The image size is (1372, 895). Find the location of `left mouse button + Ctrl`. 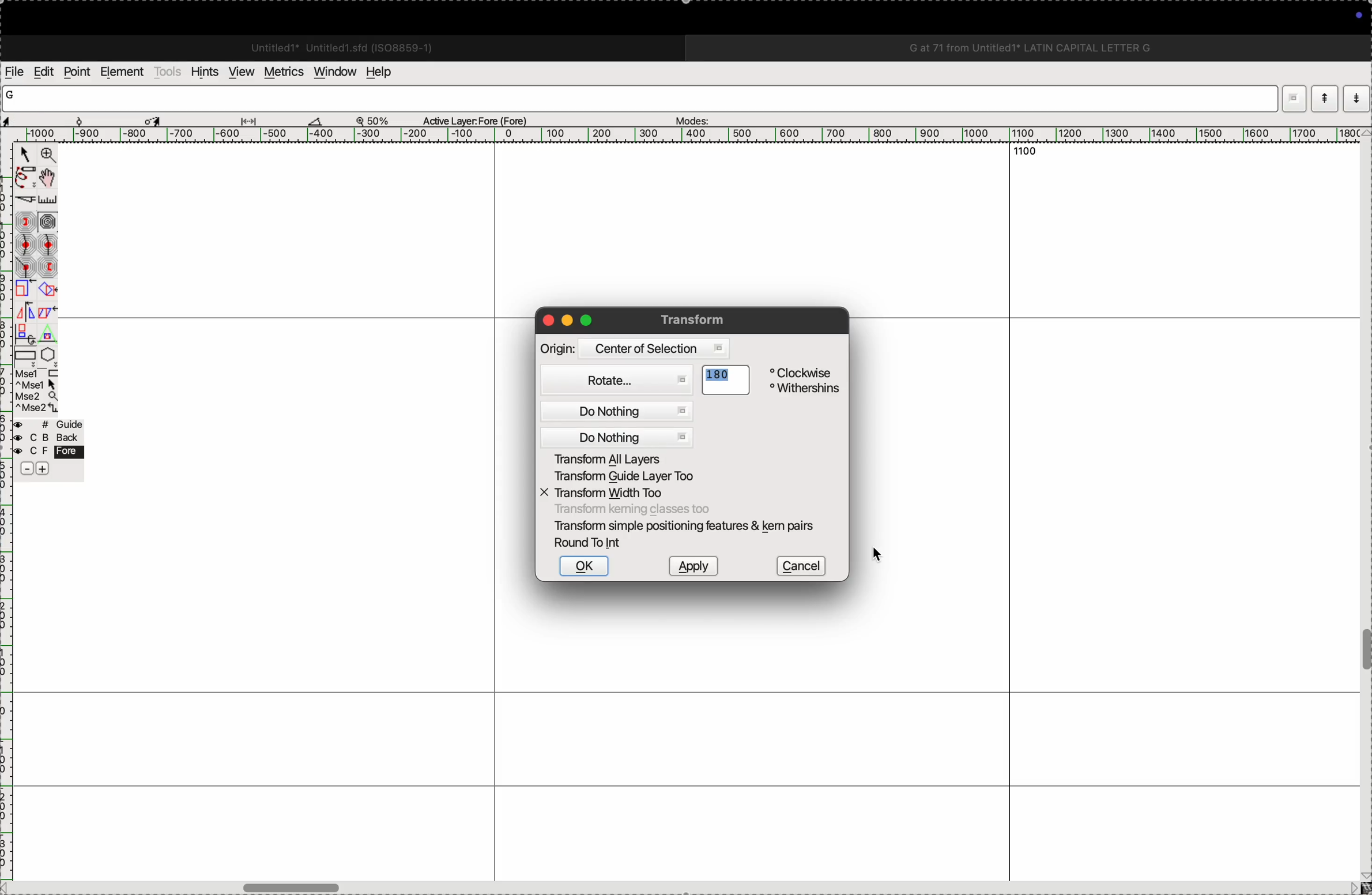

left mouse button + Ctrl is located at coordinates (36, 385).